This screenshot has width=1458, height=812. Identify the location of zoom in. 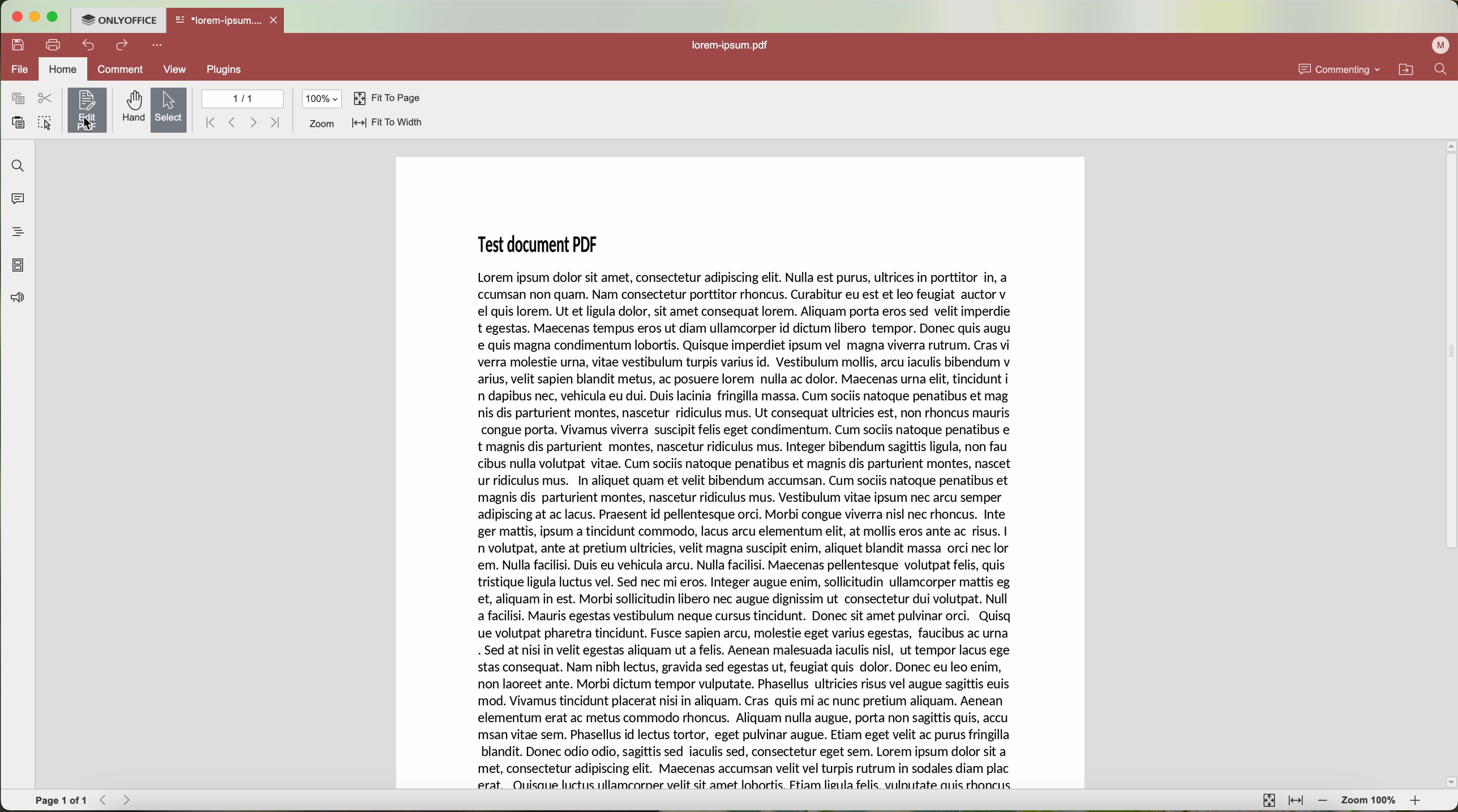
(1418, 802).